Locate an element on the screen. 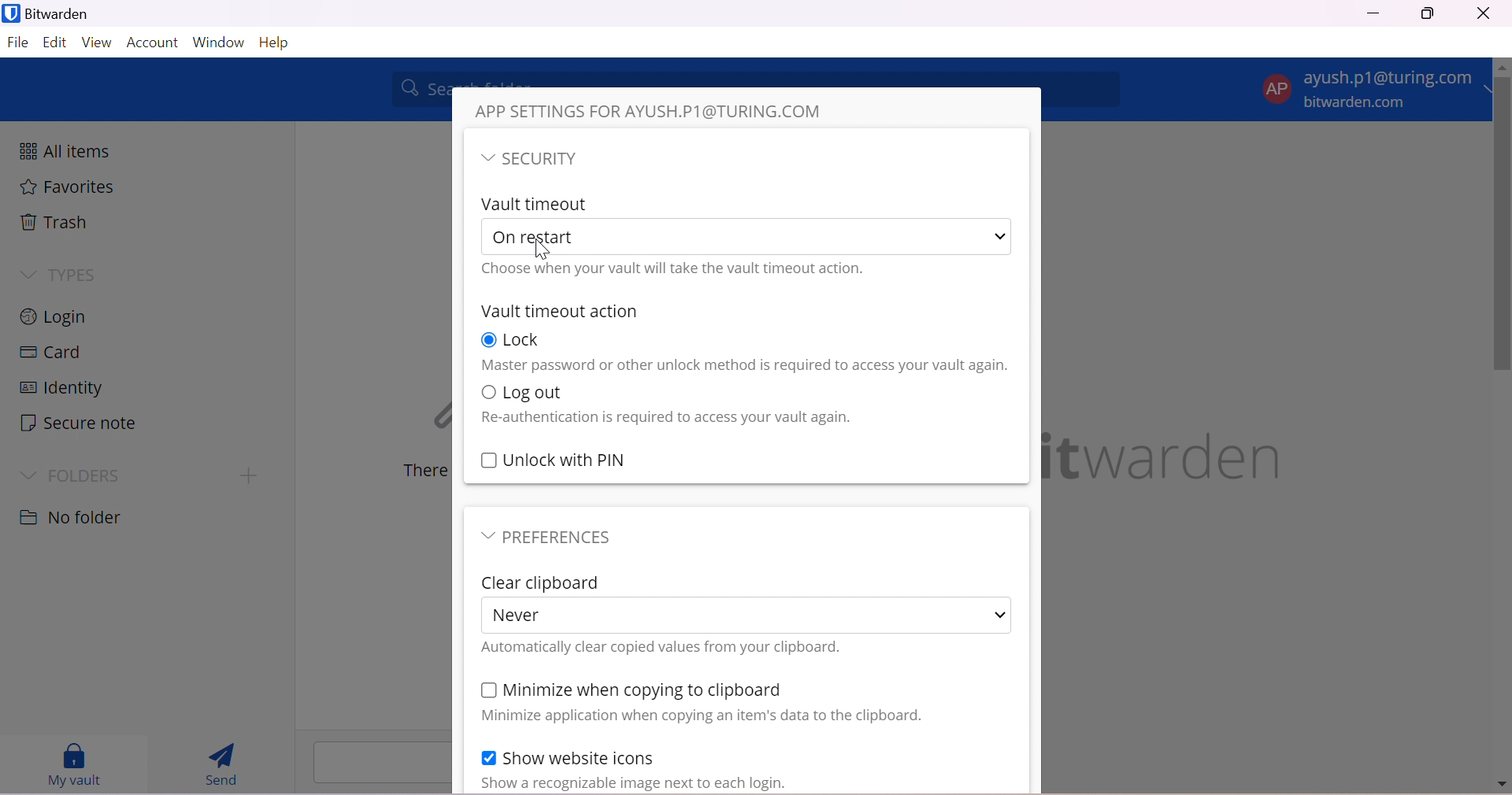  Choose when you will take the vault timeout action. is located at coordinates (675, 268).